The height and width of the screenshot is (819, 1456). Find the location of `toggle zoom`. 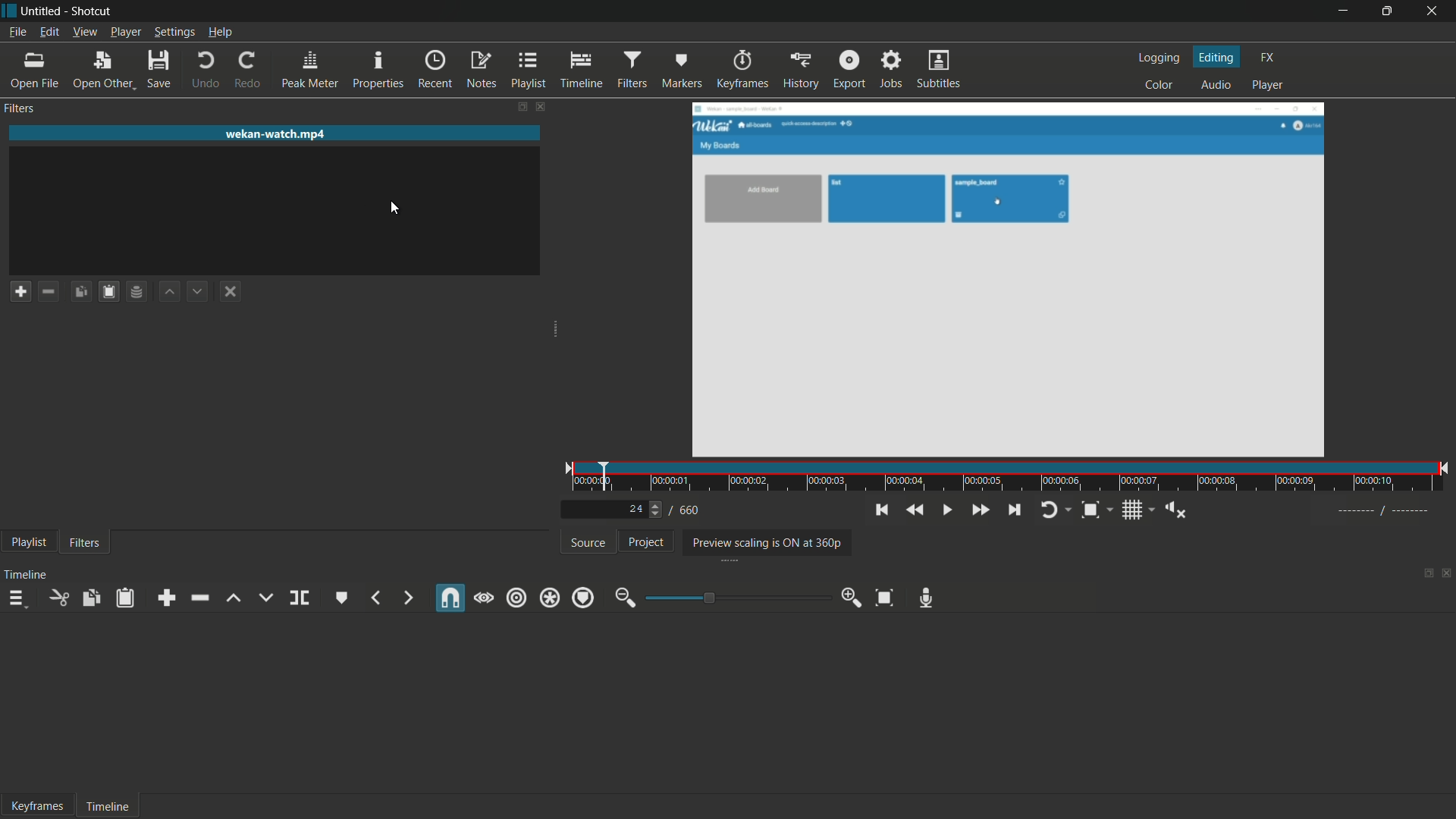

toggle zoom is located at coordinates (1090, 510).